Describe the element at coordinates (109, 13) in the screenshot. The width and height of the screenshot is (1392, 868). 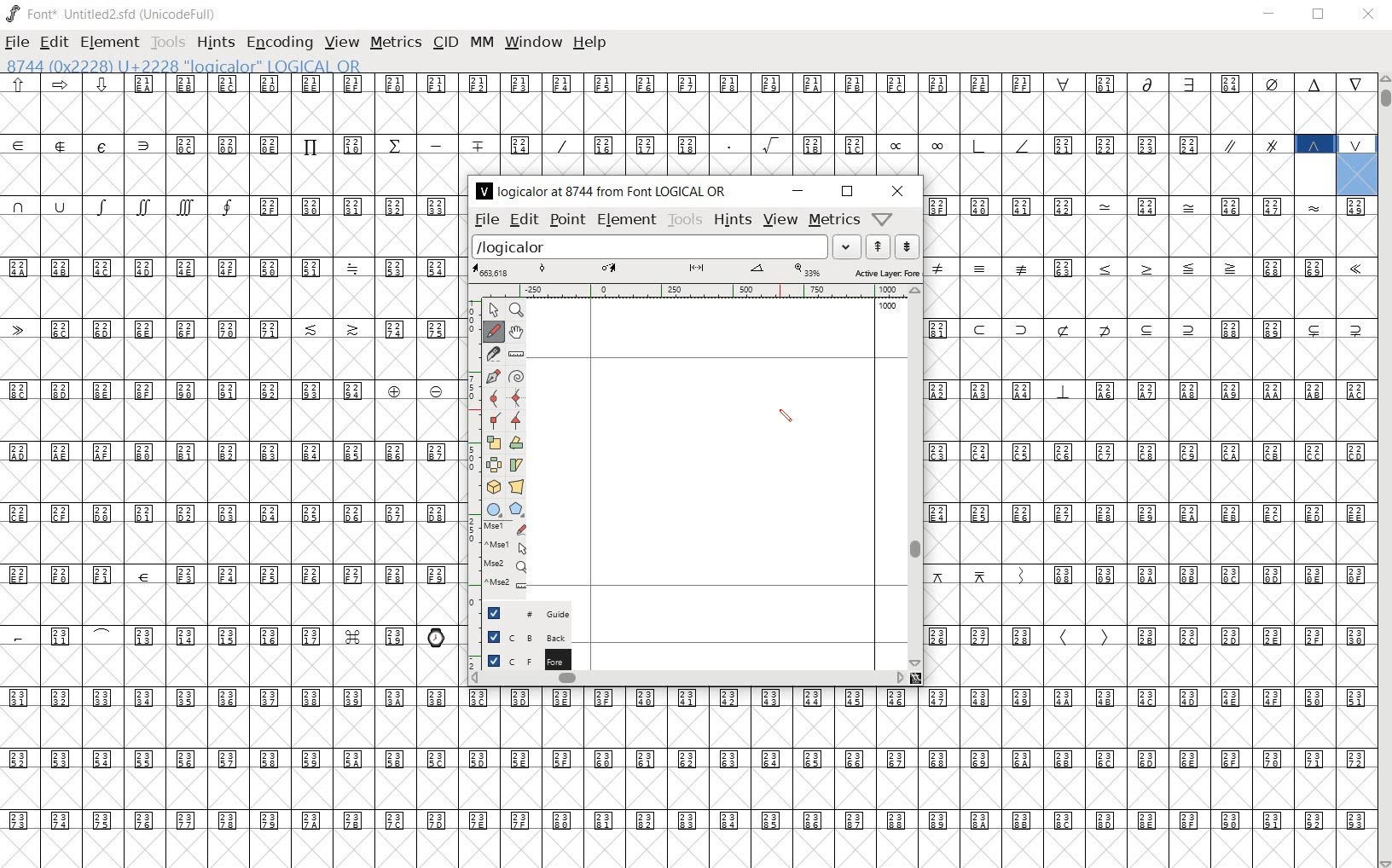
I see `font* Untitled2.sfd (UnicodeFull)` at that location.